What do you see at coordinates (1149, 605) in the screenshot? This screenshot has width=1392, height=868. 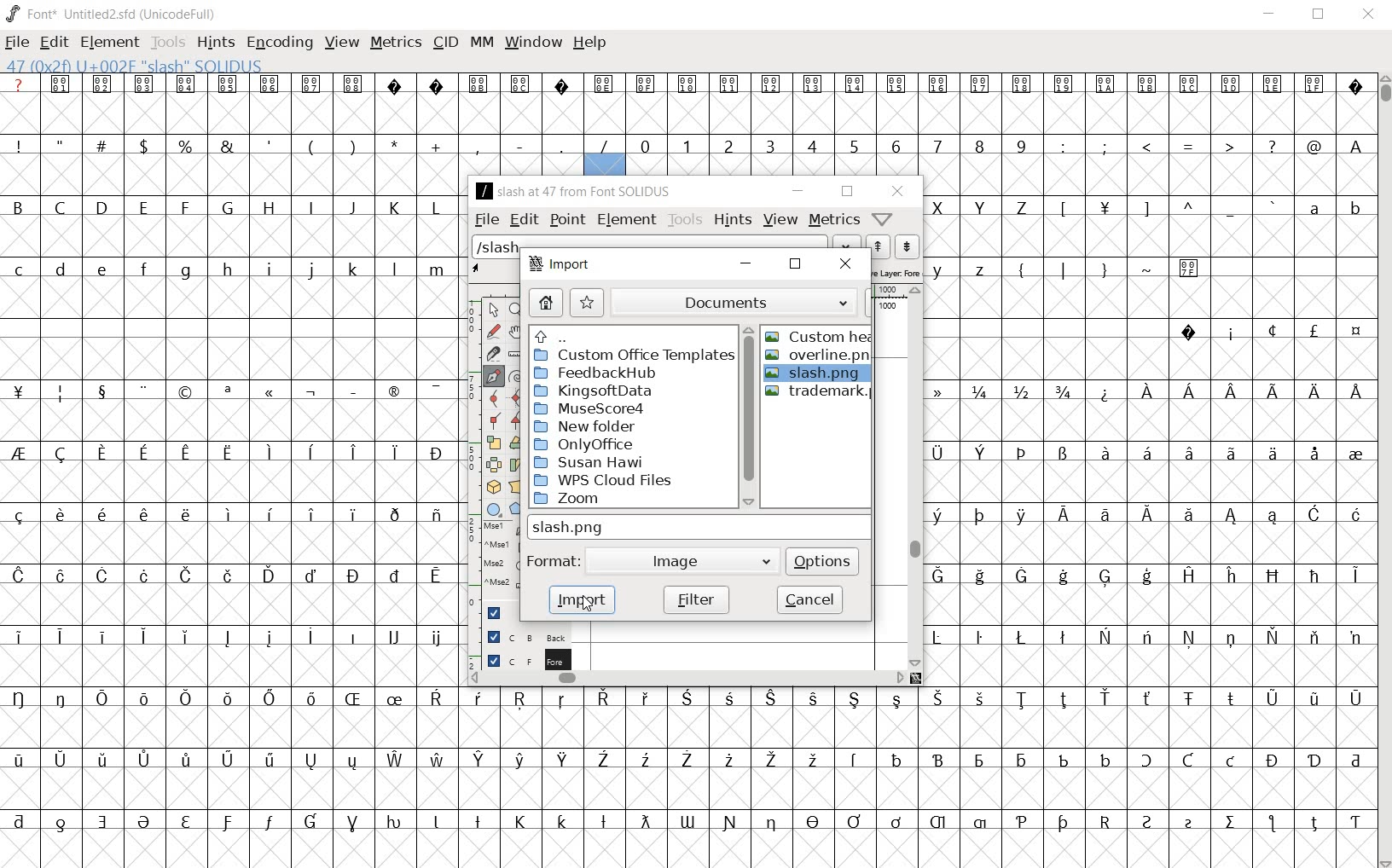 I see `empty cells` at bounding box center [1149, 605].